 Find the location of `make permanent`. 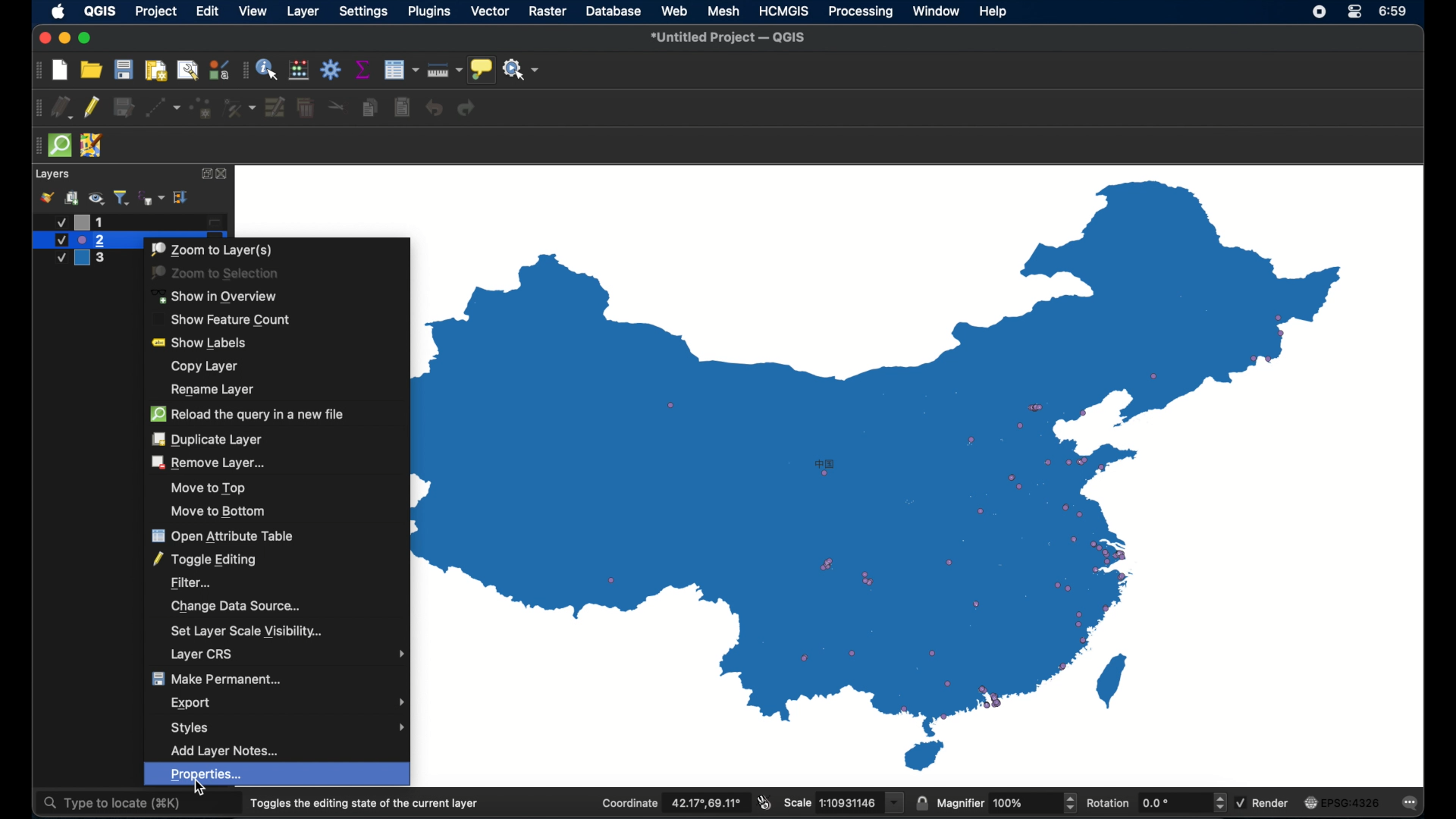

make permanent is located at coordinates (219, 678).